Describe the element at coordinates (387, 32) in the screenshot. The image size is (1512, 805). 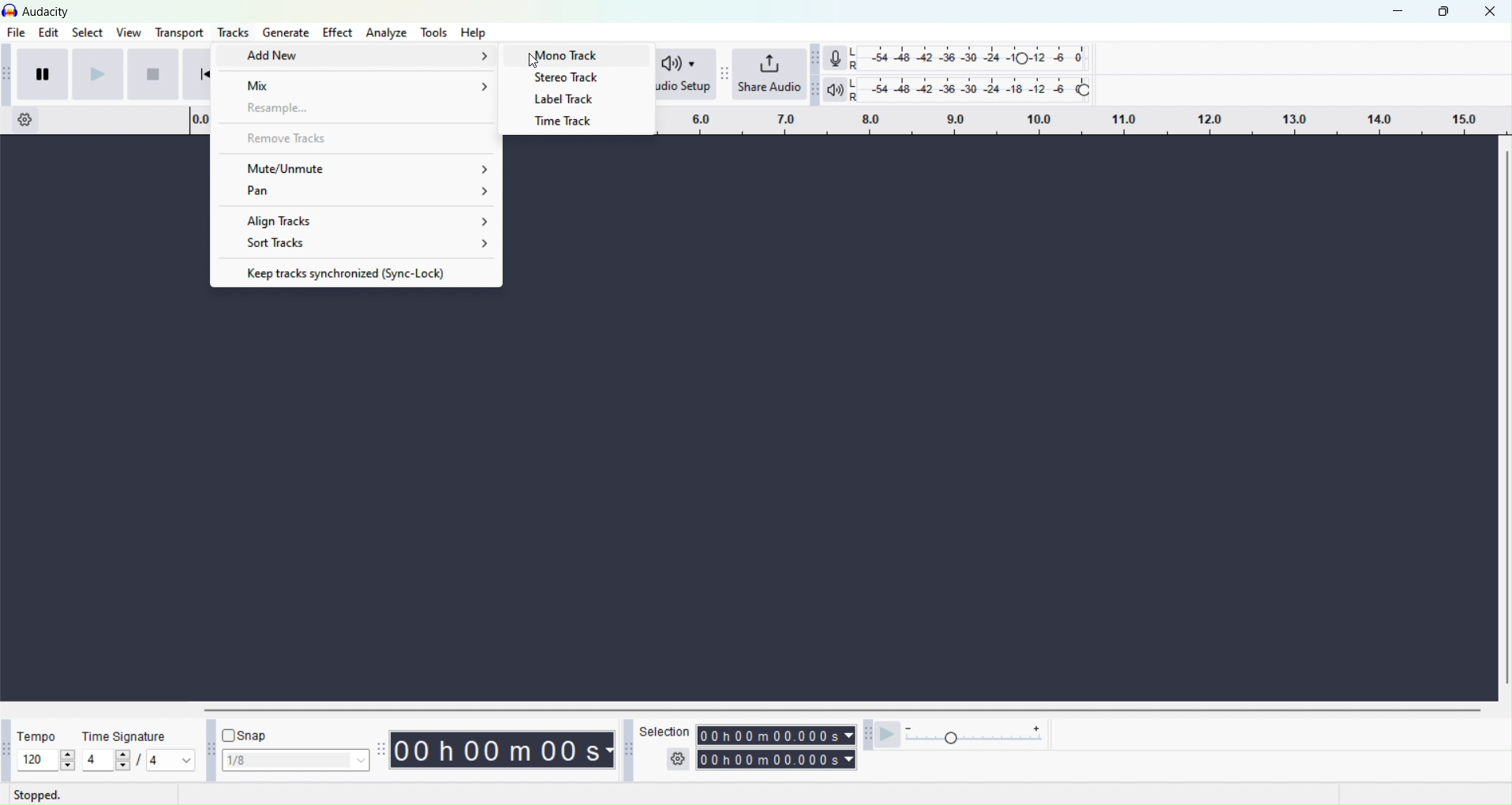
I see `Analyze` at that location.